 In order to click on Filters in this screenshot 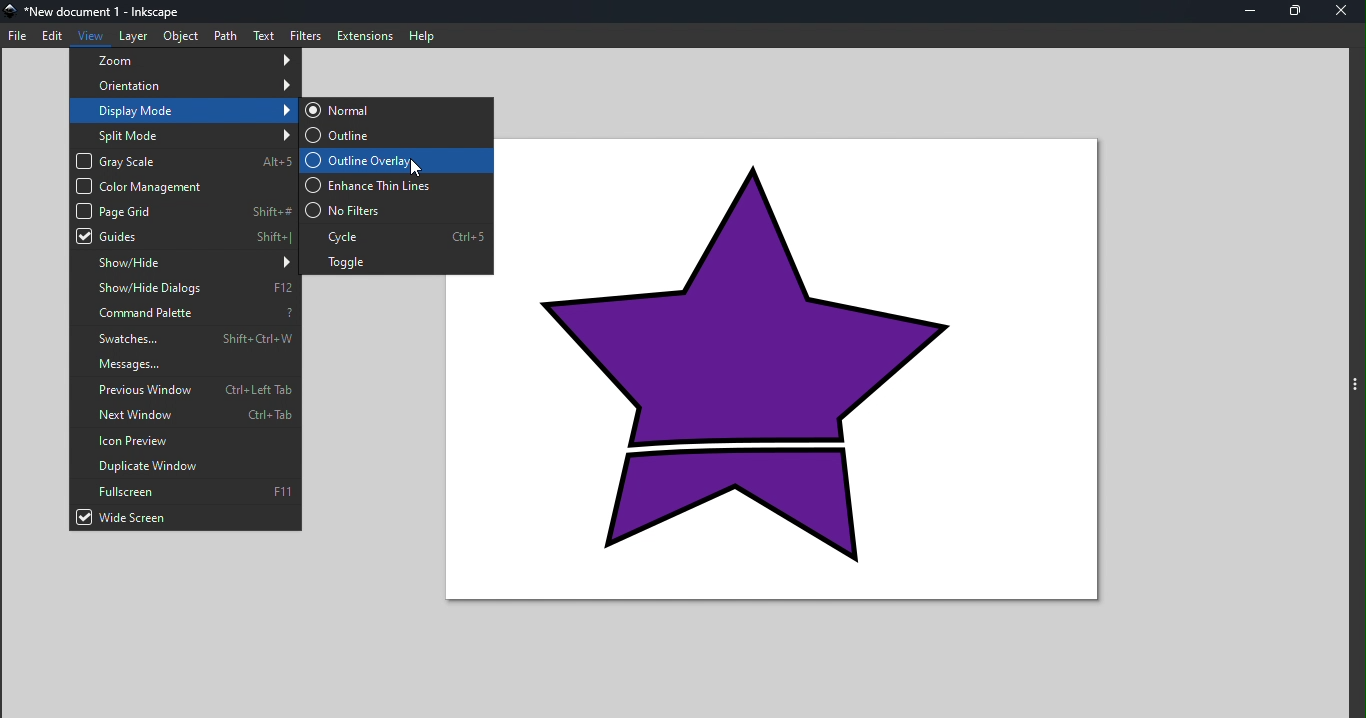, I will do `click(307, 34)`.